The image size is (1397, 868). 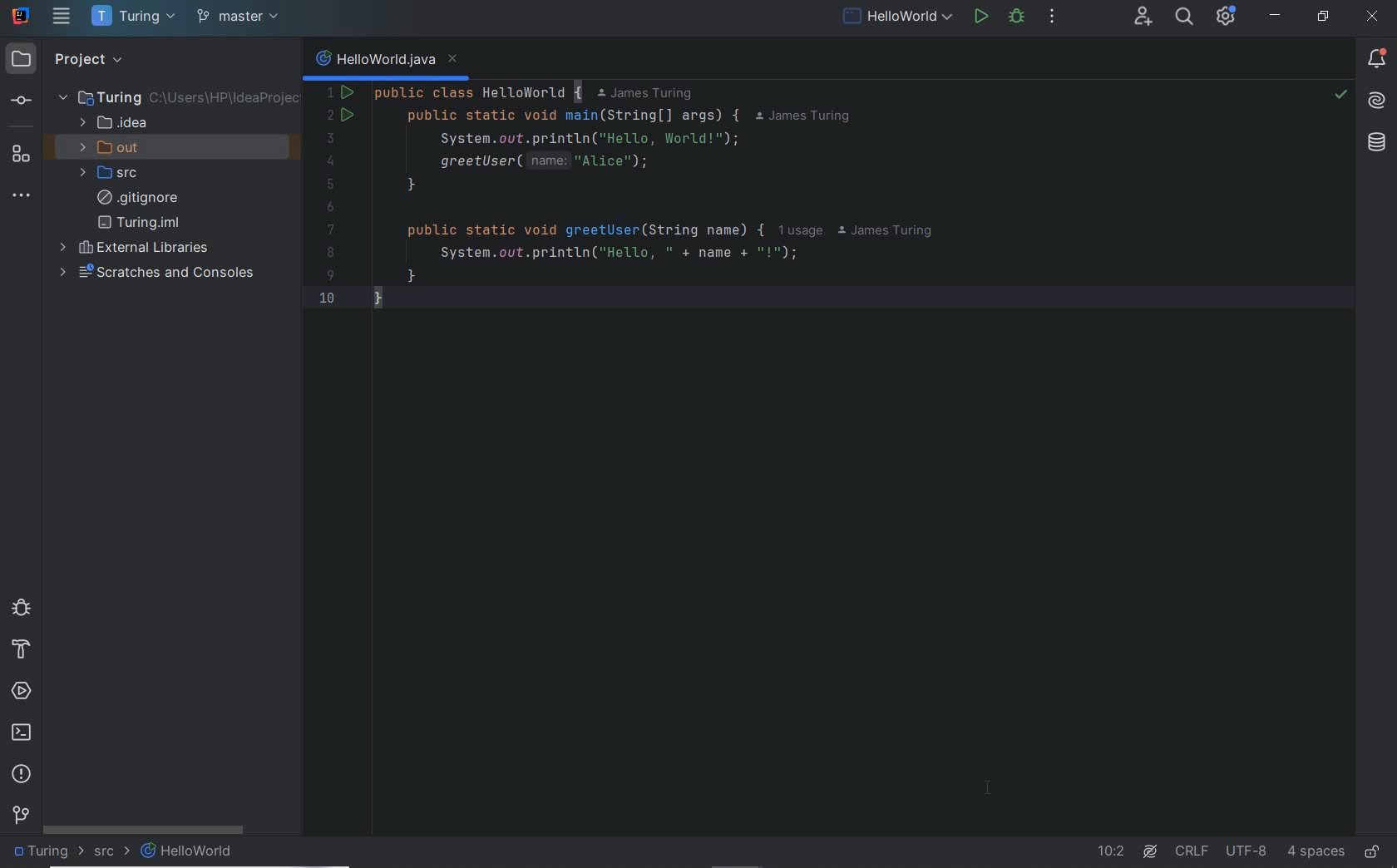 I want to click on DEBUG, so click(x=1016, y=16).